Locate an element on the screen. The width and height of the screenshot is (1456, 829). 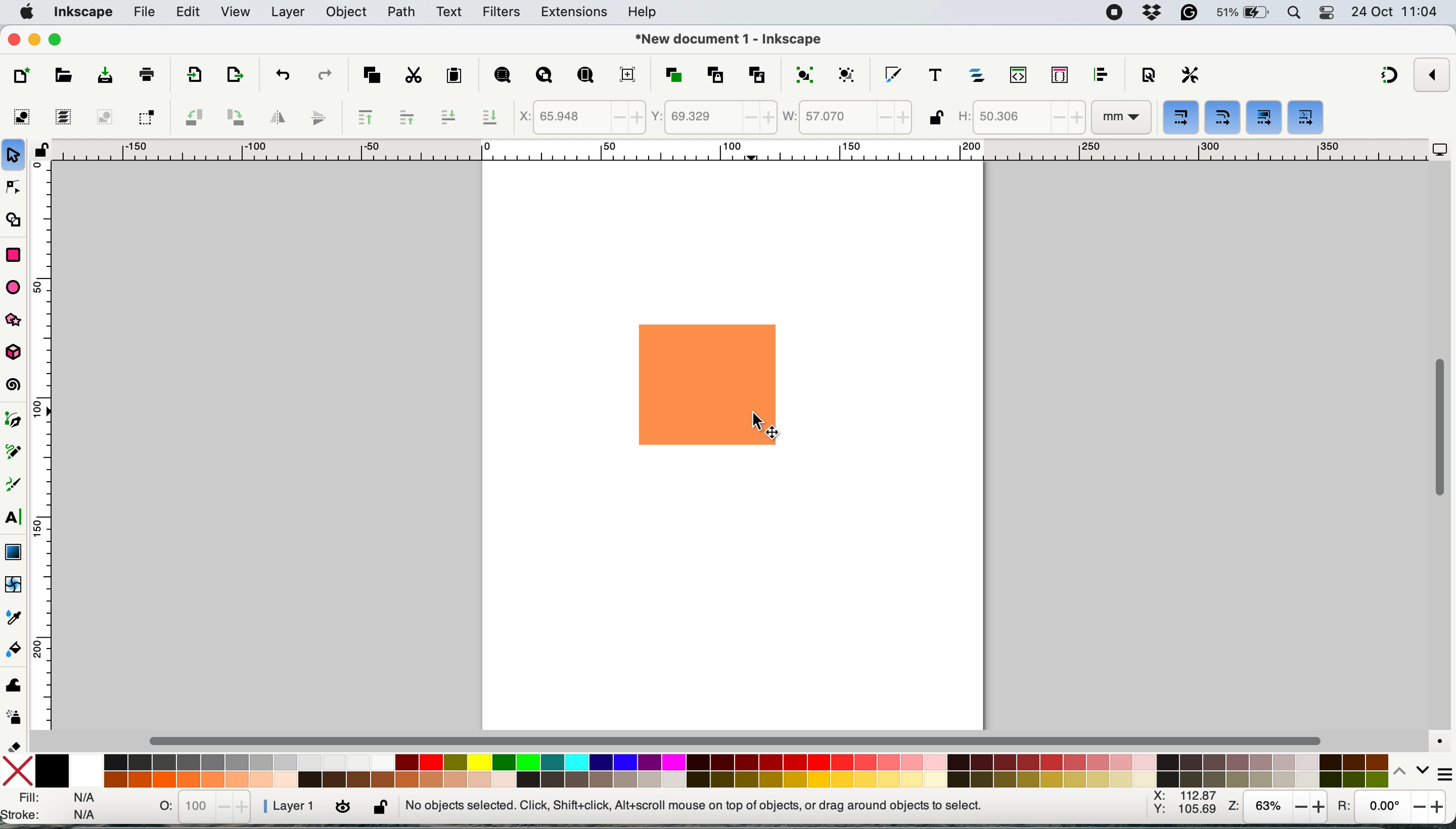
lower selection one step is located at coordinates (448, 117).